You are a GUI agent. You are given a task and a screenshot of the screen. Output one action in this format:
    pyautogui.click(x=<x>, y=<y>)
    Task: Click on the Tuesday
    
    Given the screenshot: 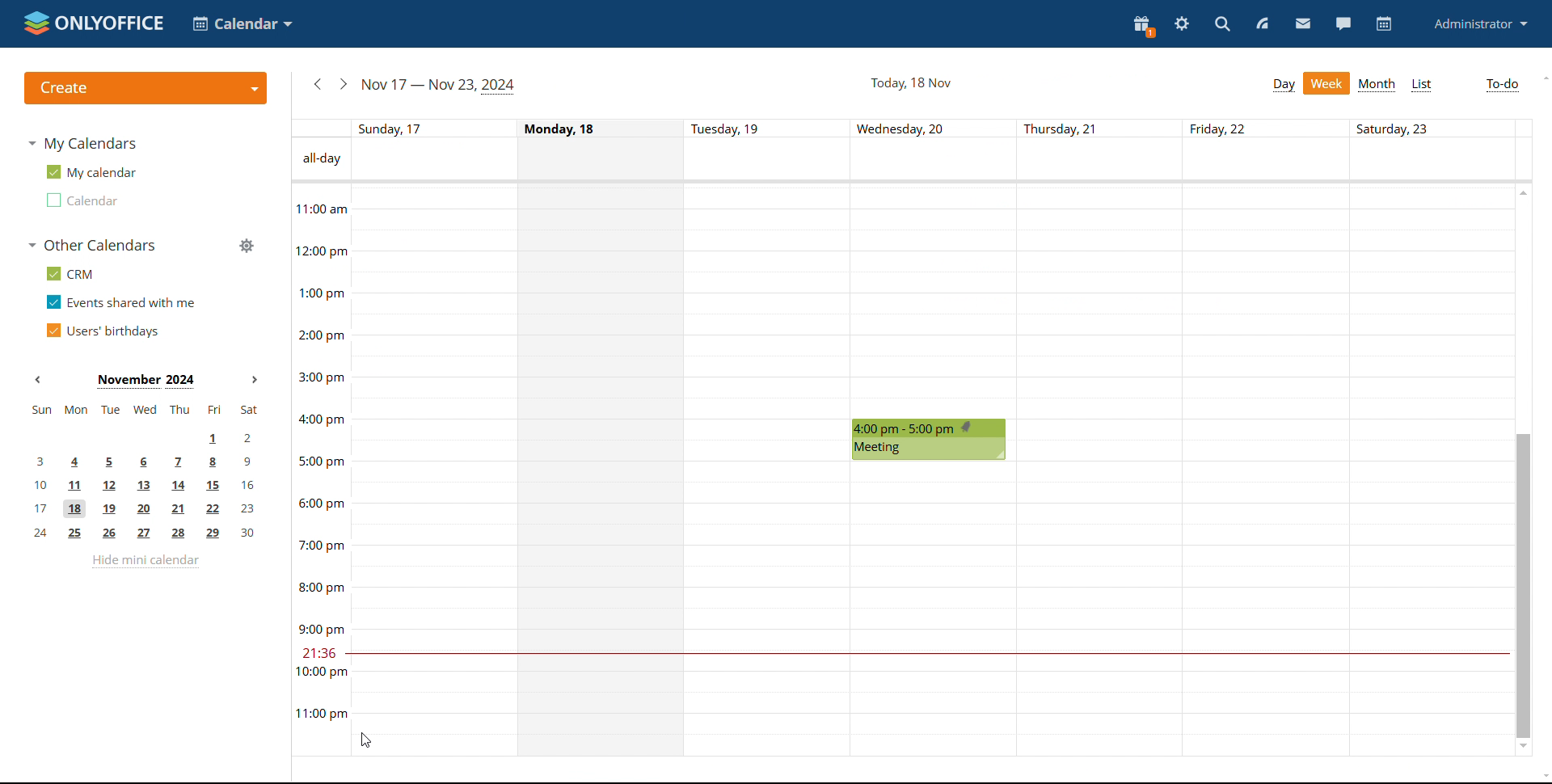 What is the action you would take?
    pyautogui.click(x=770, y=471)
    